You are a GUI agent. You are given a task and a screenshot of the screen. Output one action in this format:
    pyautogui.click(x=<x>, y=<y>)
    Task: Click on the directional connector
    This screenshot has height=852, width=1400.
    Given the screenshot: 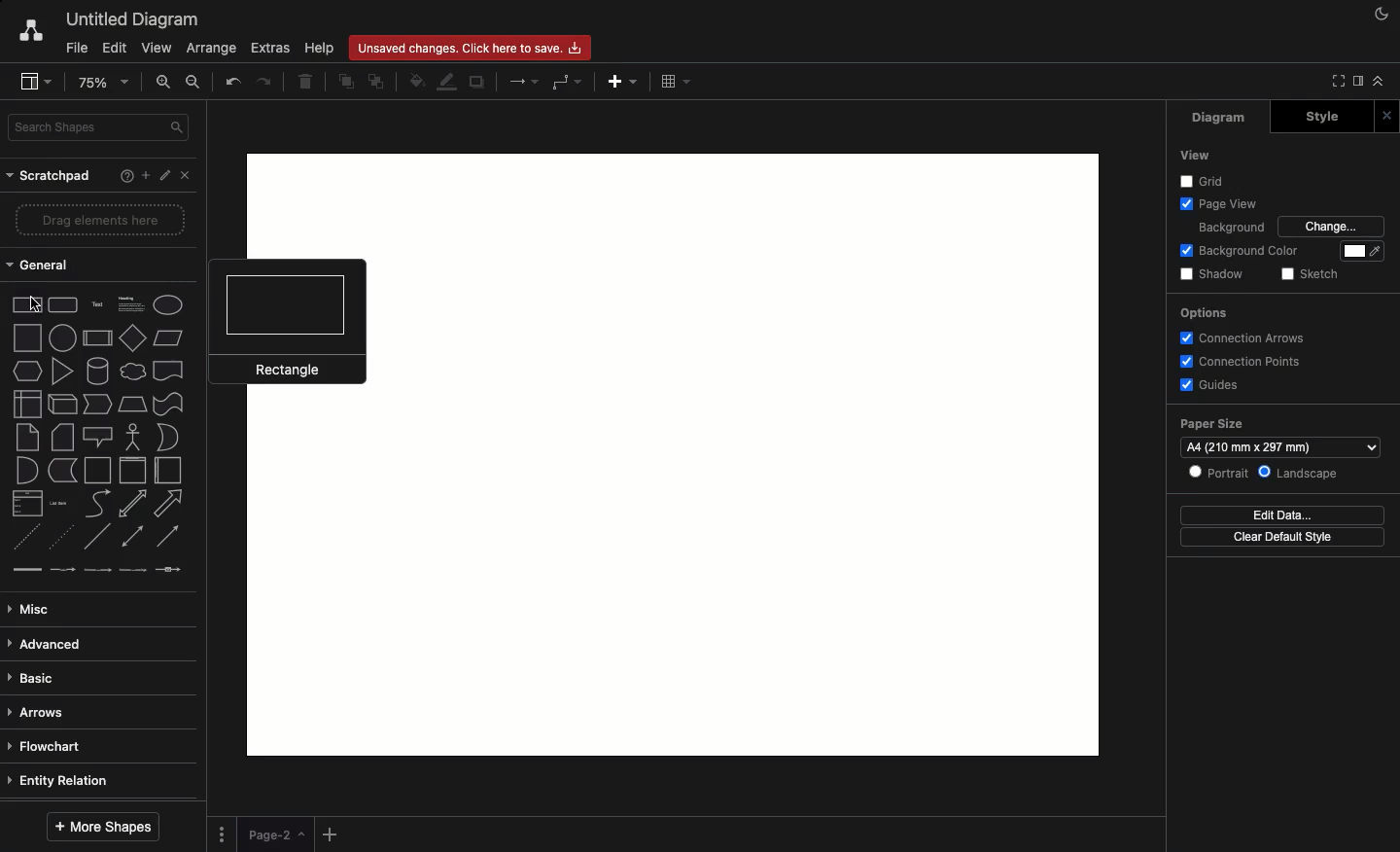 What is the action you would take?
    pyautogui.click(x=168, y=535)
    